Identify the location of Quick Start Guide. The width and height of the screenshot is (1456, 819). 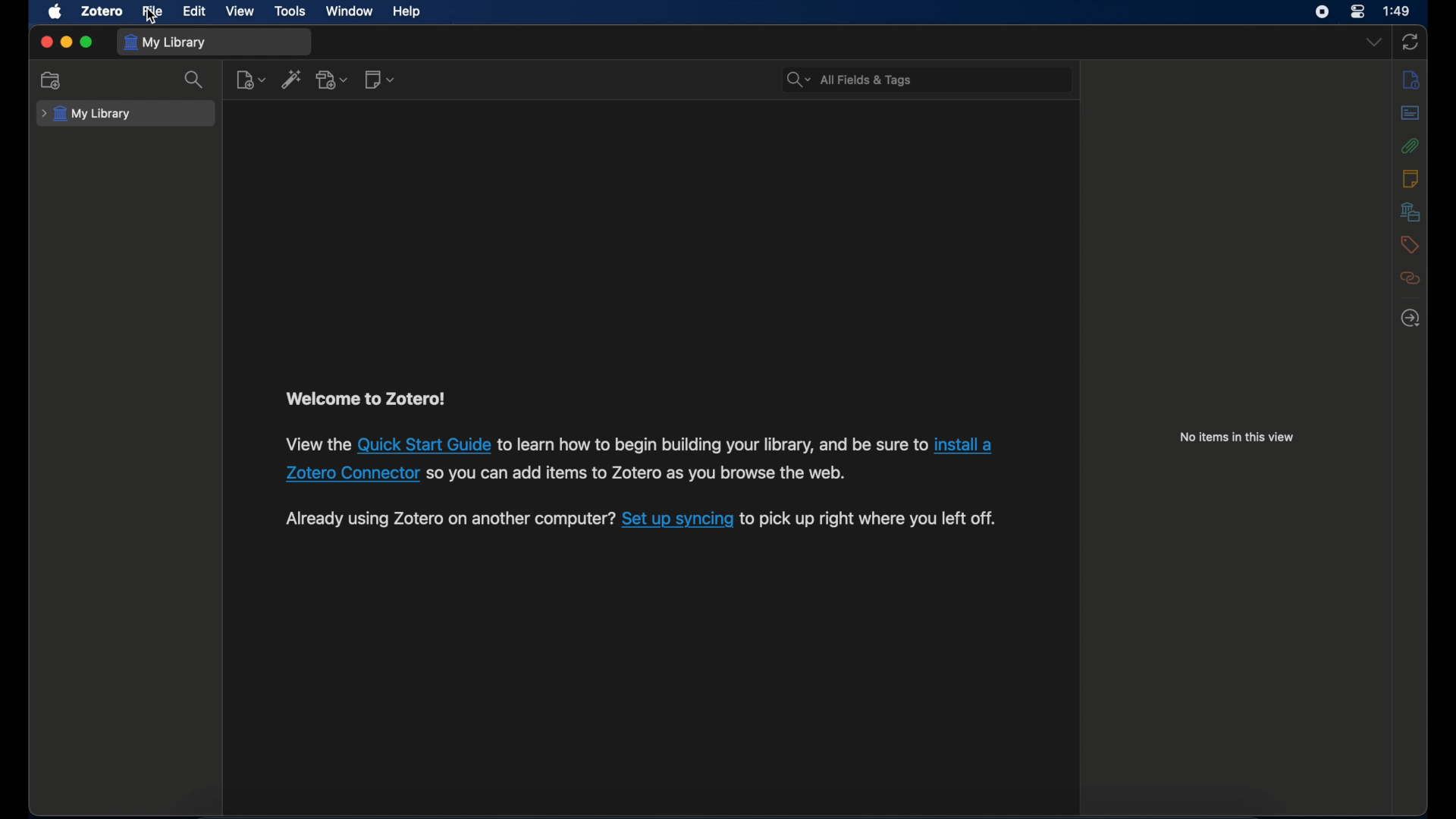
(422, 444).